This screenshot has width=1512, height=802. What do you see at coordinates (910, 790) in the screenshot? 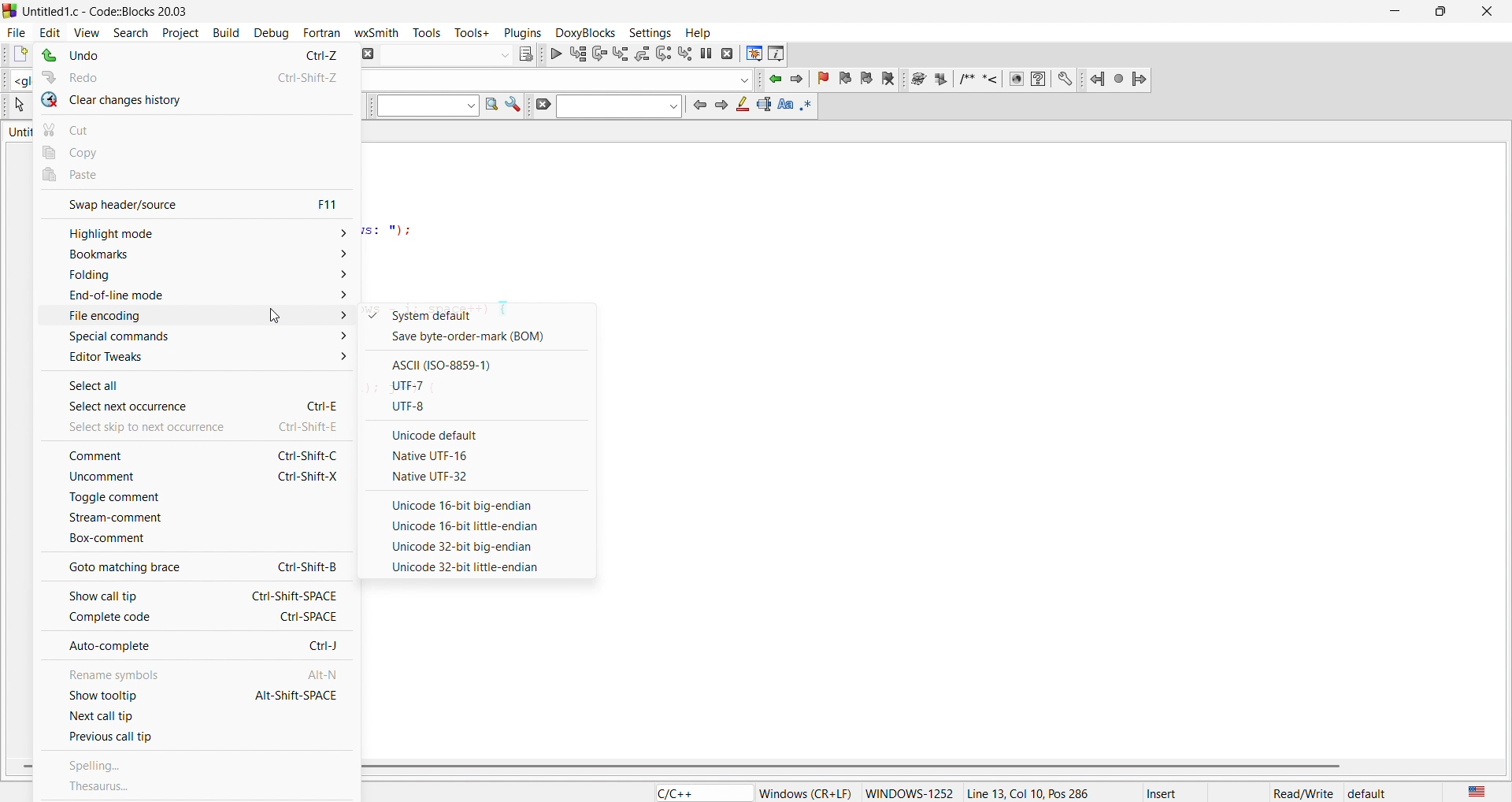
I see `WINDOWS-1252` at bounding box center [910, 790].